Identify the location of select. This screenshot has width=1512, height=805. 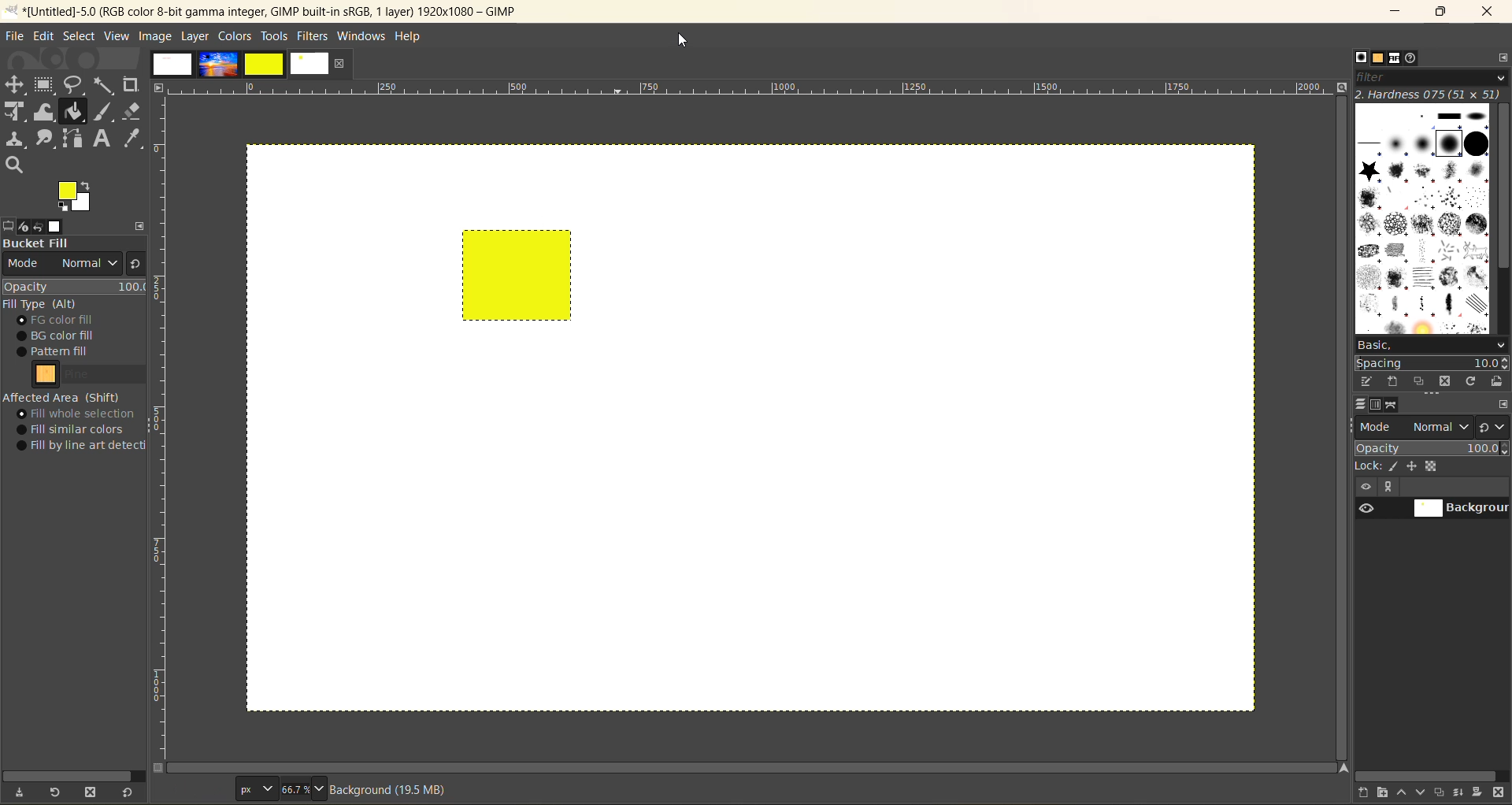
(83, 38).